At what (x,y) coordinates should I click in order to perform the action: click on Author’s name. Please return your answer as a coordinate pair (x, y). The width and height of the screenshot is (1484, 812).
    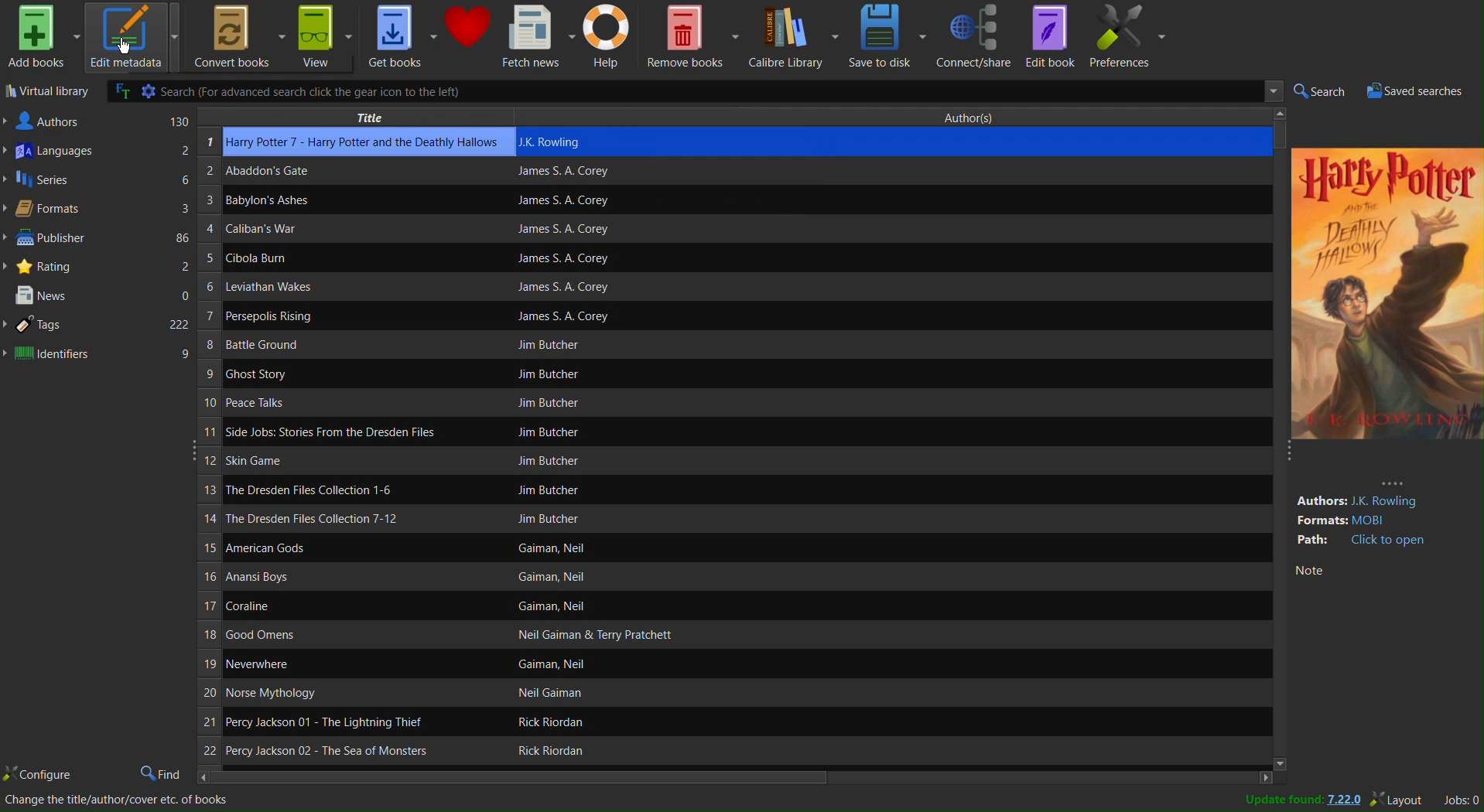
    Looking at the image, I should click on (704, 317).